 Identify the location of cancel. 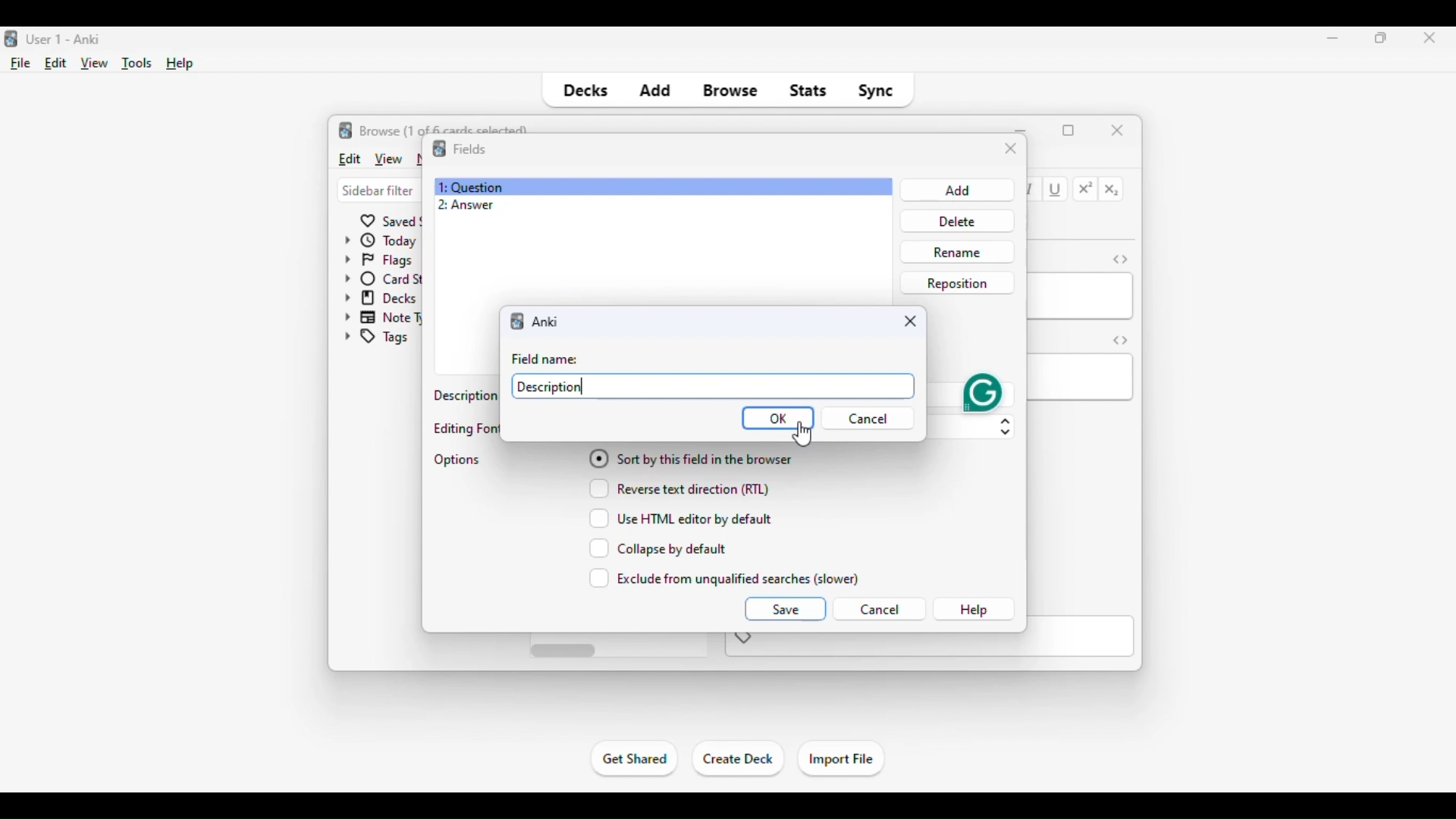
(879, 610).